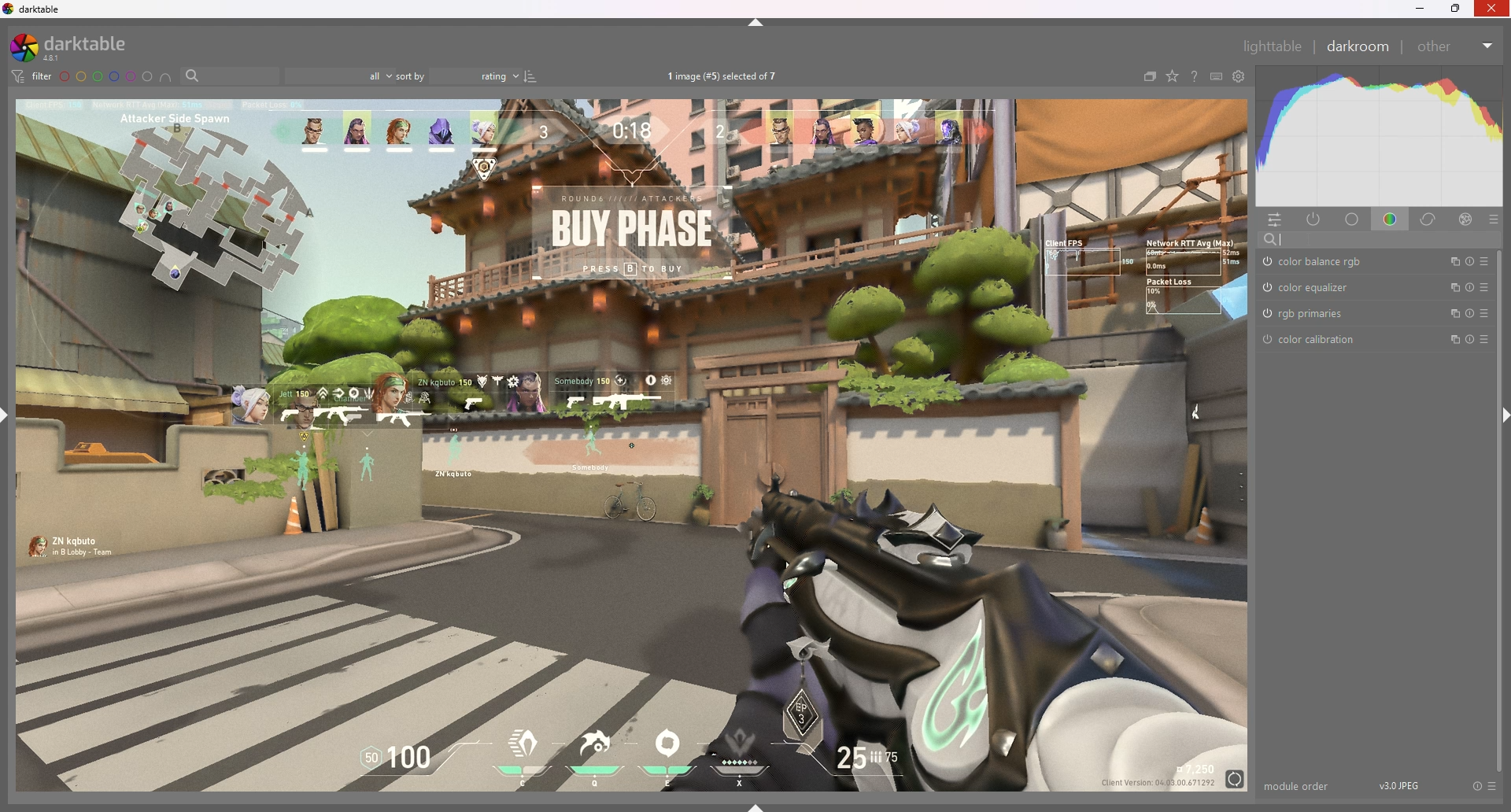  I want to click on filter by images rating, so click(340, 76).